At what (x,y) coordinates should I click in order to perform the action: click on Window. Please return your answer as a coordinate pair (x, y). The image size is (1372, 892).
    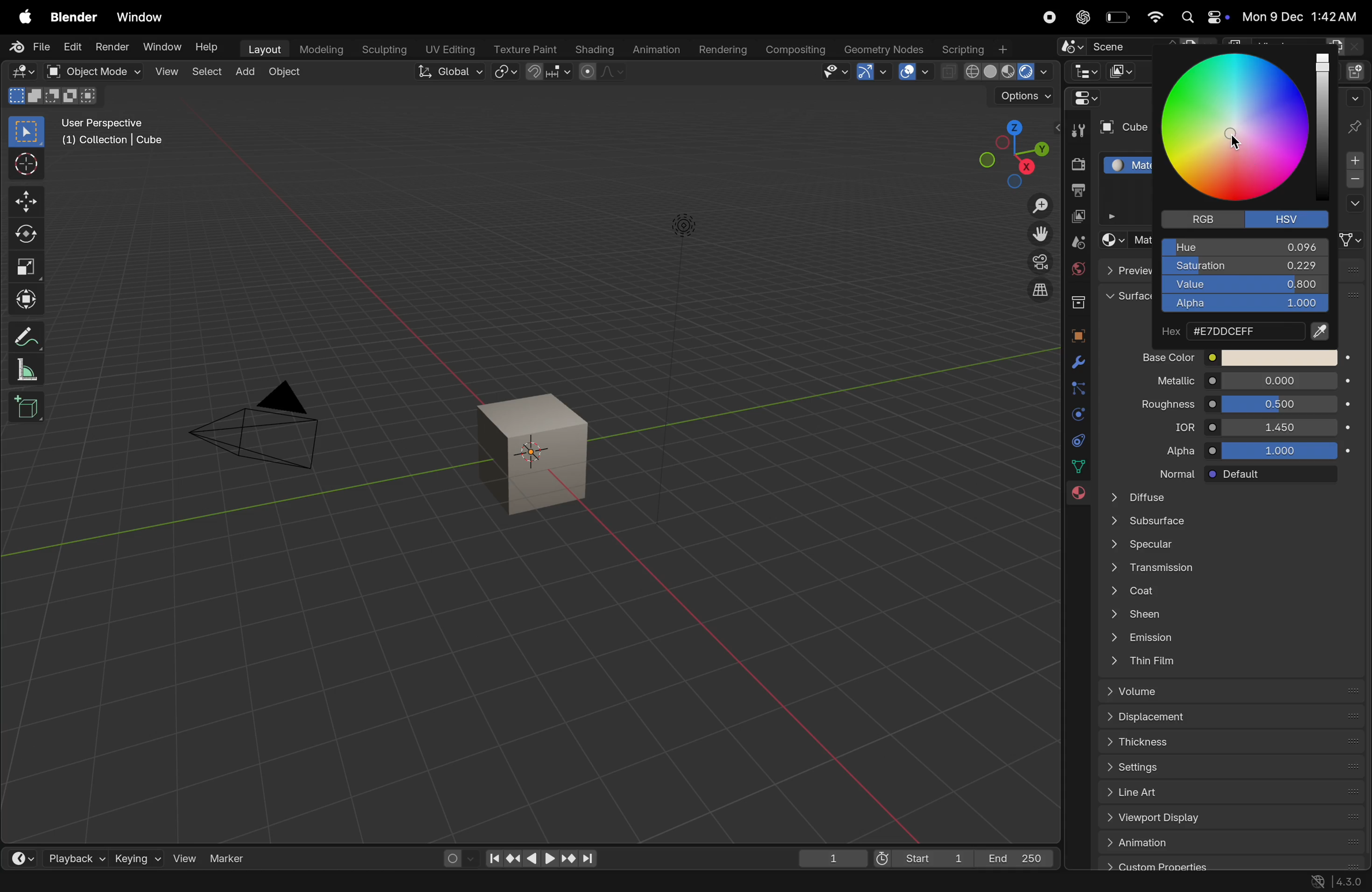
    Looking at the image, I should click on (140, 18).